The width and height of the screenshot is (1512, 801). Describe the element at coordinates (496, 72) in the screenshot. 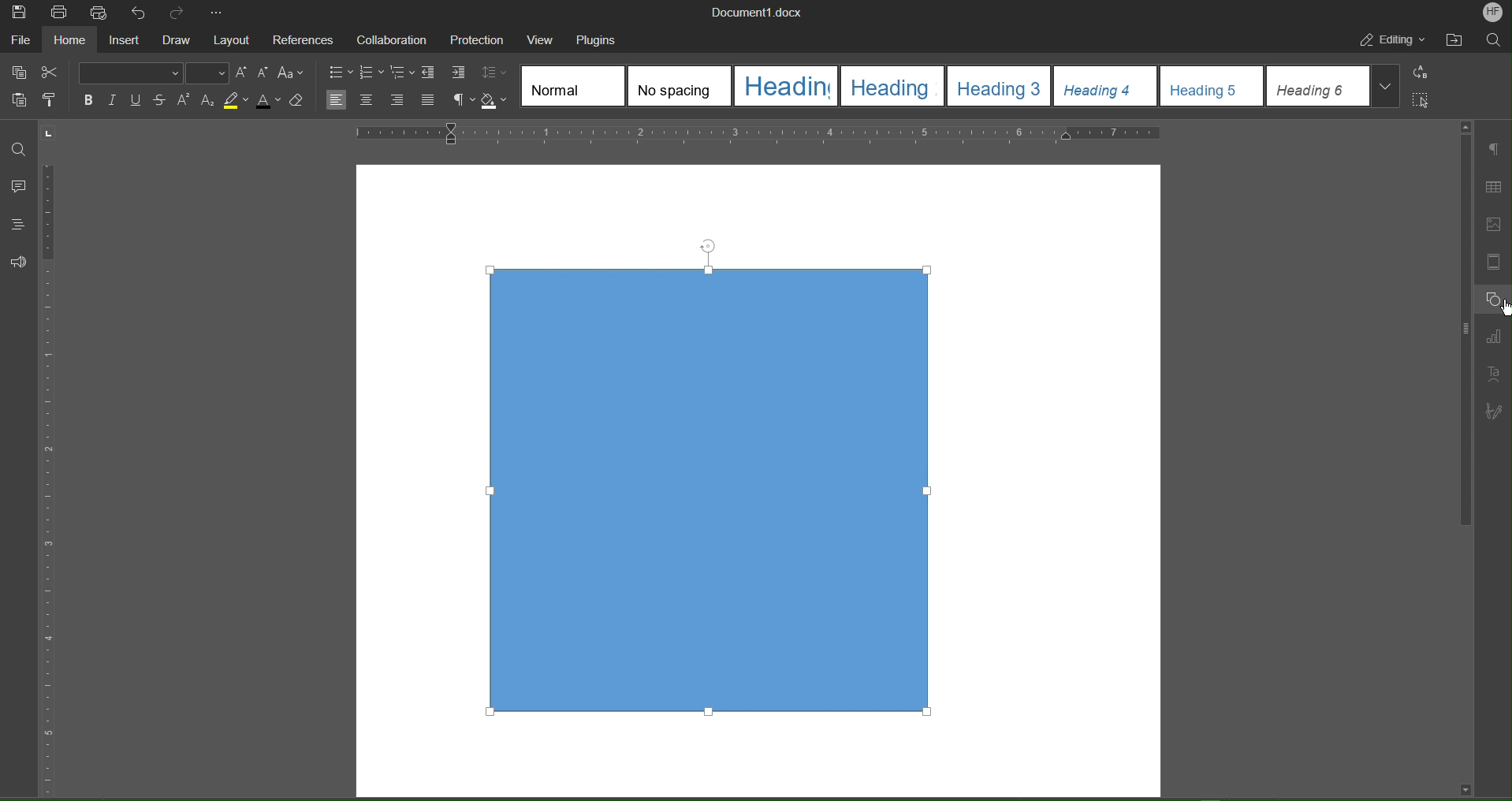

I see `Line spacing` at that location.